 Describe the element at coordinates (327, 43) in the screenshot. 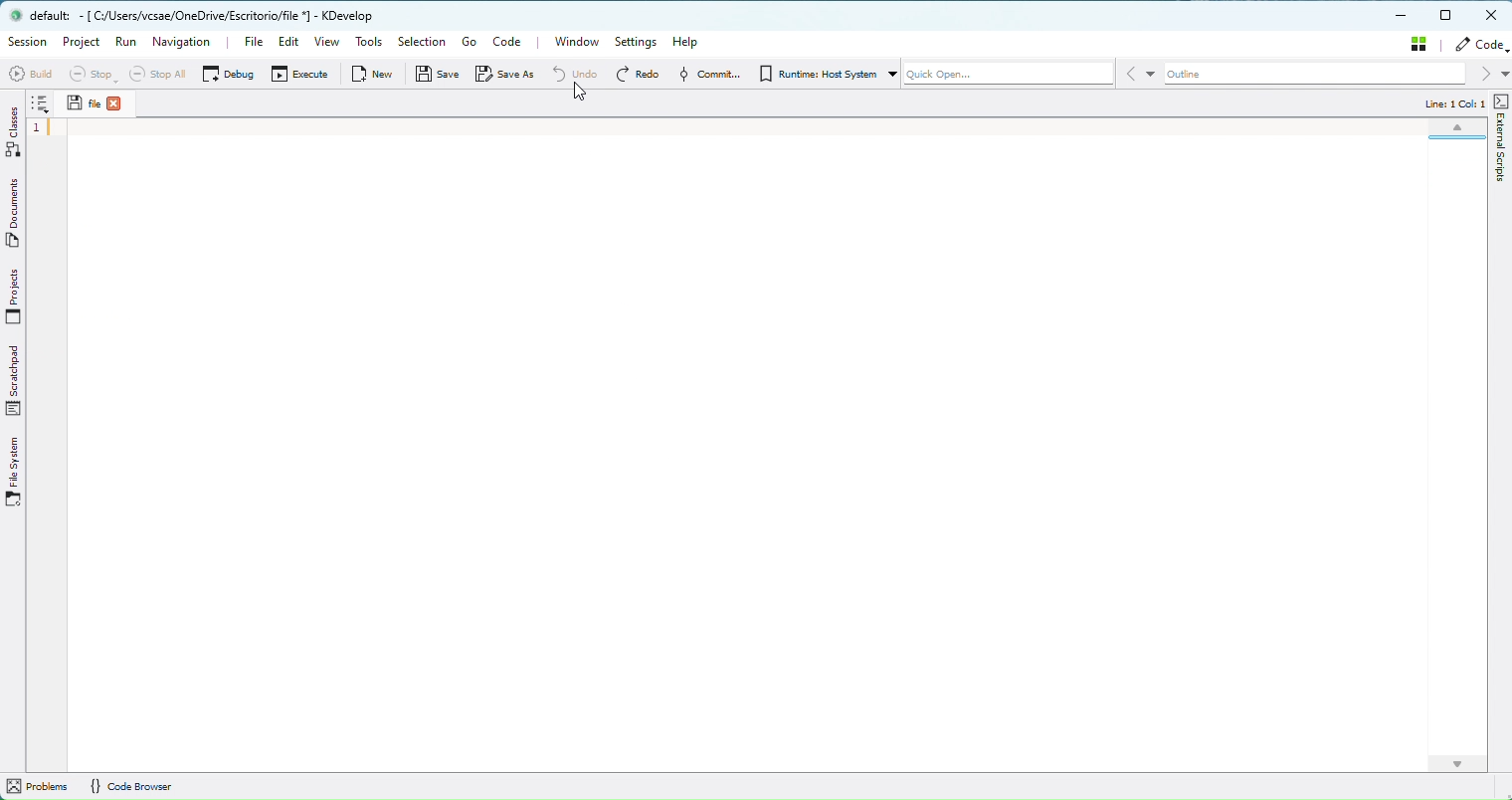

I see `View` at that location.